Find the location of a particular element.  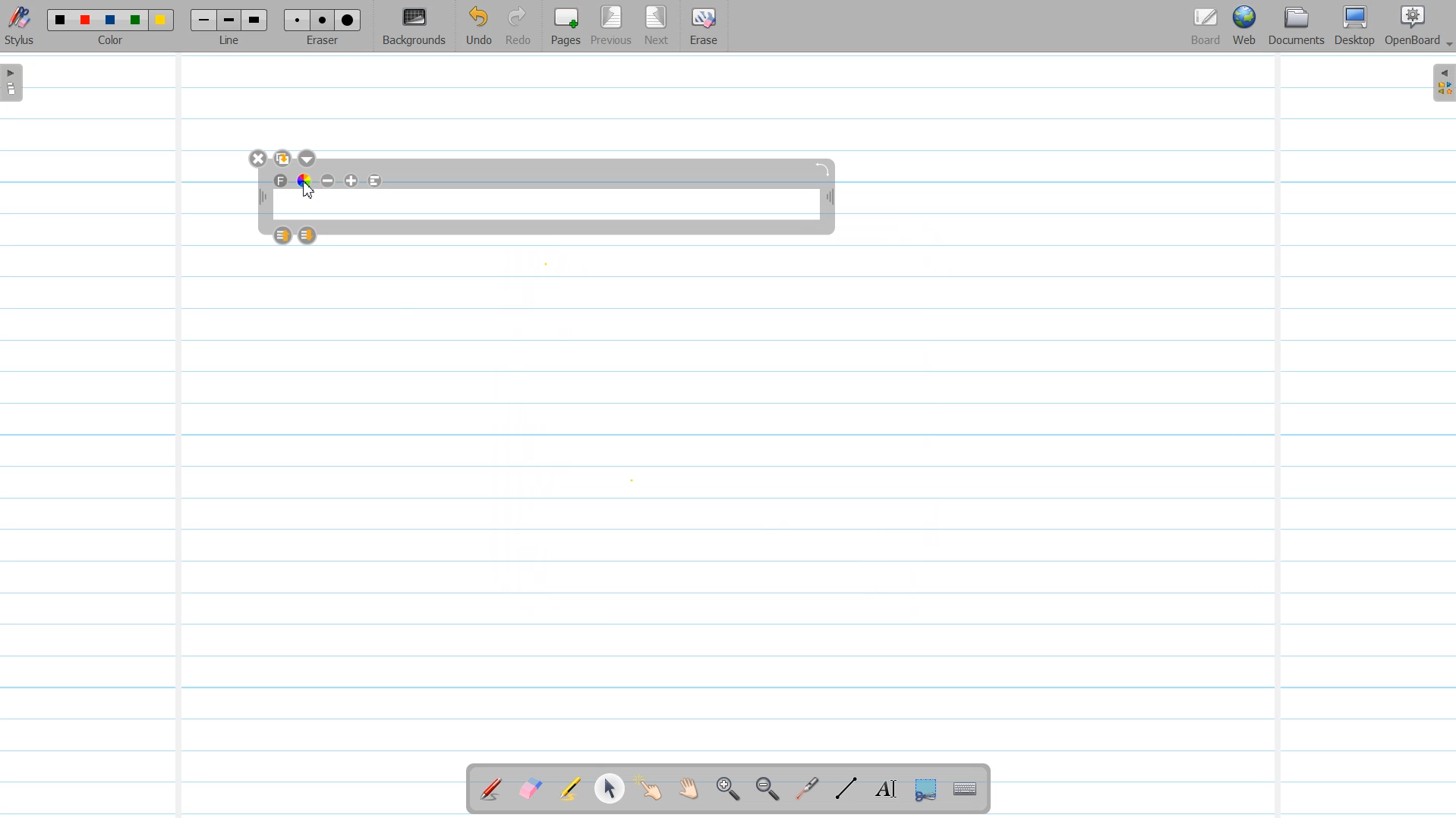

Scroll Page is located at coordinates (689, 790).